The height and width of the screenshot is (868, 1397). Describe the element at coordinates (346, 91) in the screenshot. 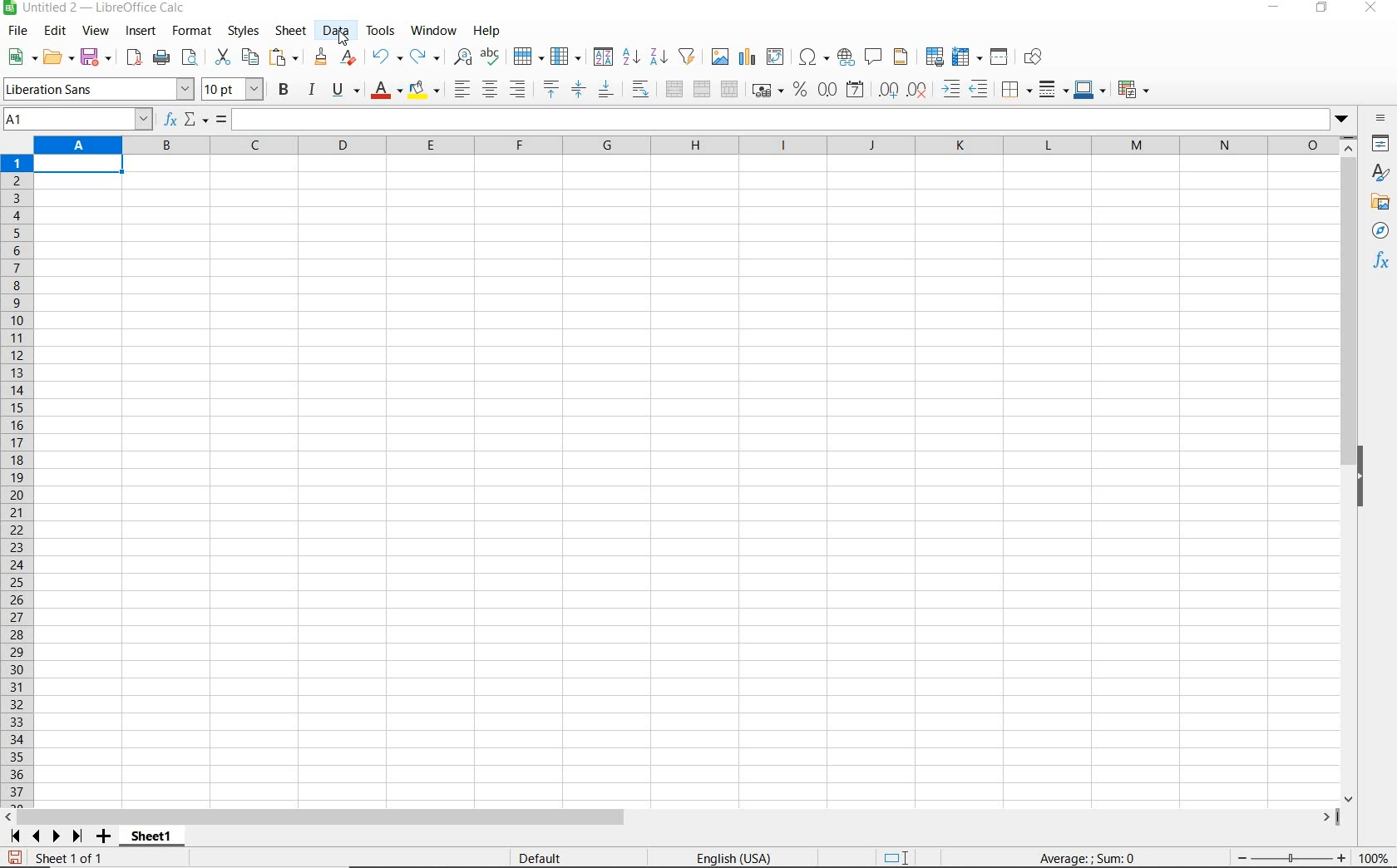

I see `underline` at that location.